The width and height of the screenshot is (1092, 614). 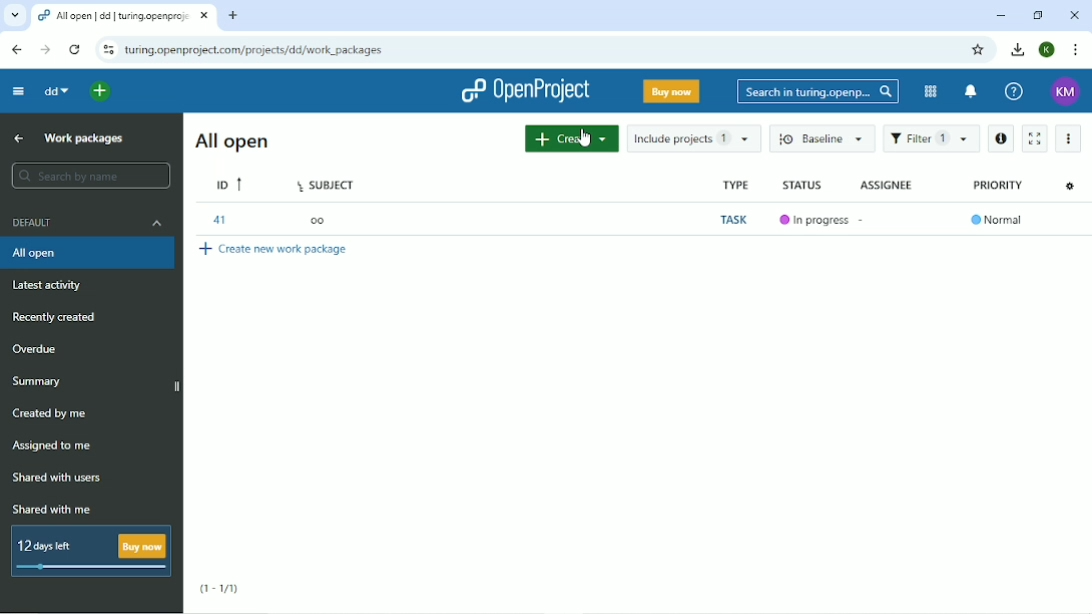 I want to click on Open details view, so click(x=1000, y=139).